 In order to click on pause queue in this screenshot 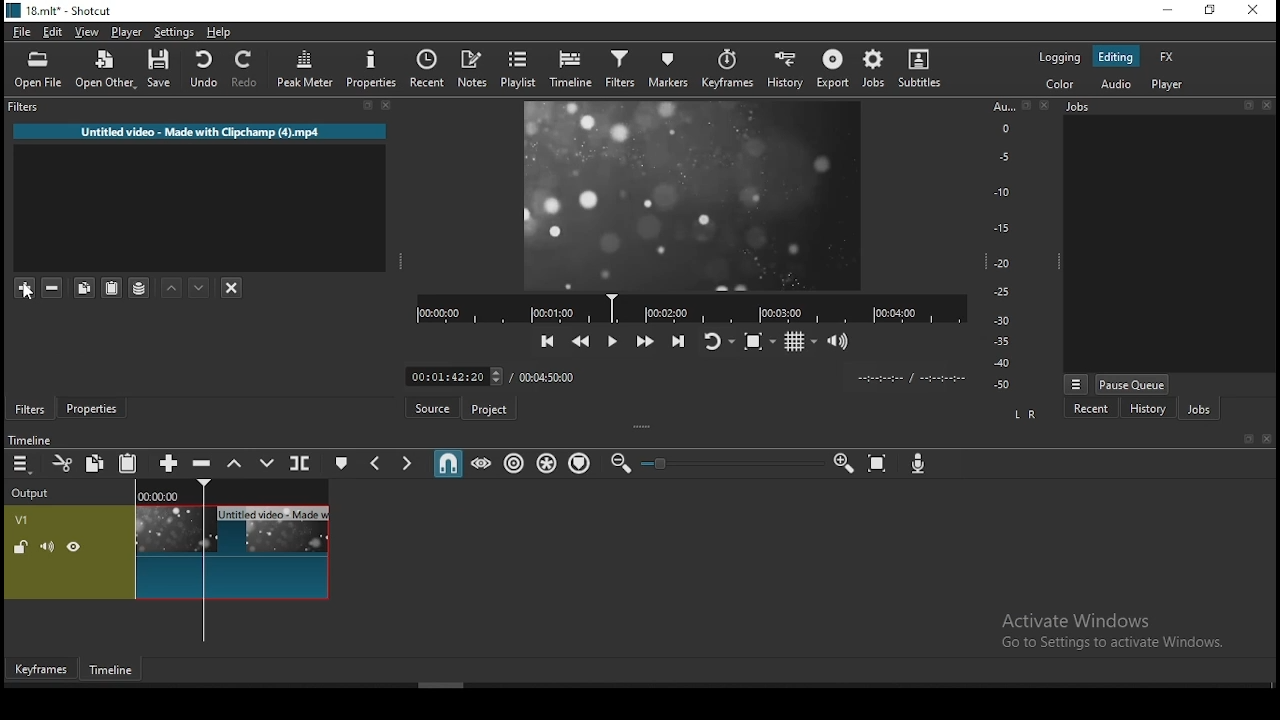, I will do `click(1133, 384)`.